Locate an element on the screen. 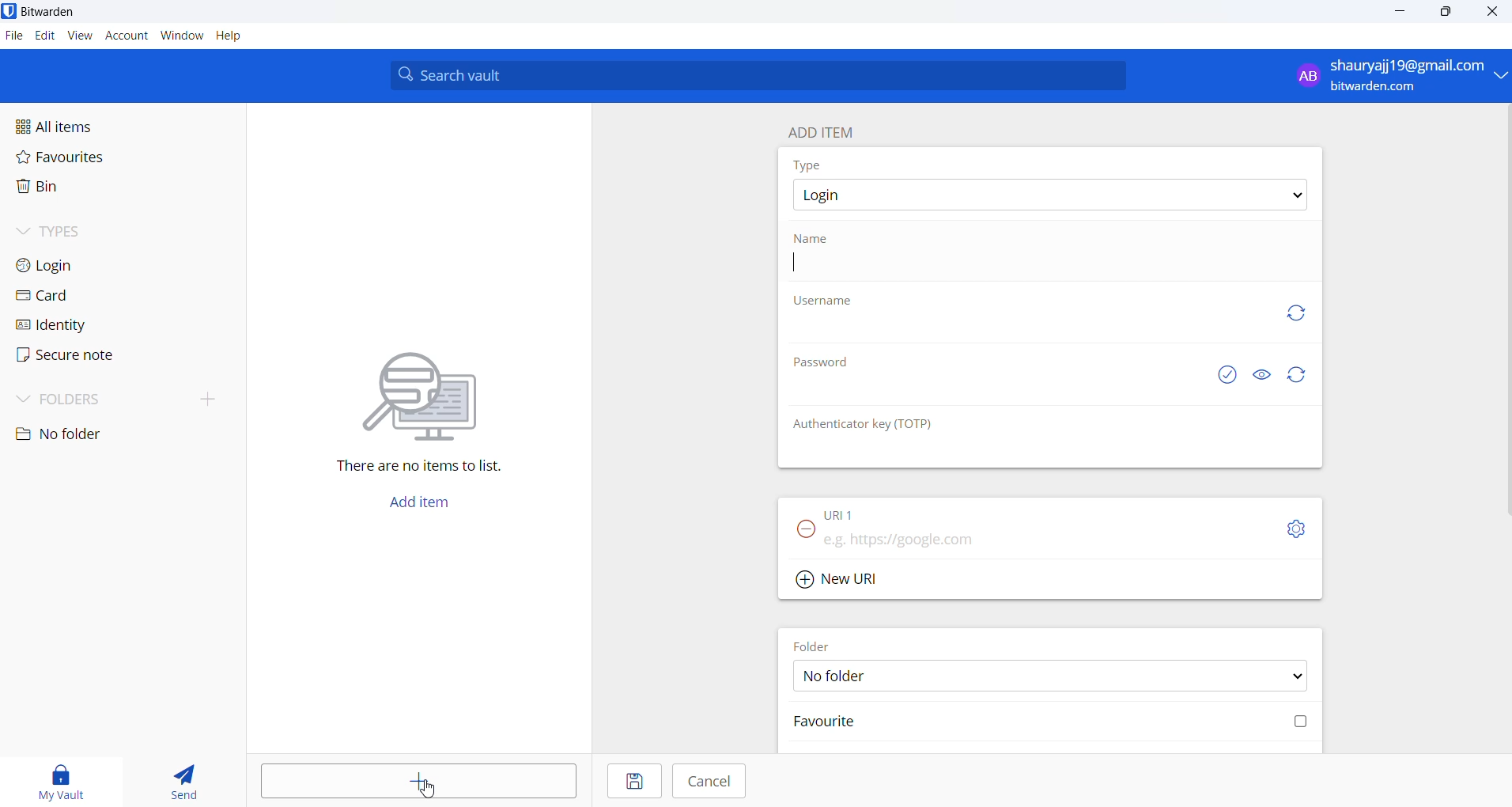 Image resolution: width=1512 pixels, height=807 pixels. type is located at coordinates (811, 166).